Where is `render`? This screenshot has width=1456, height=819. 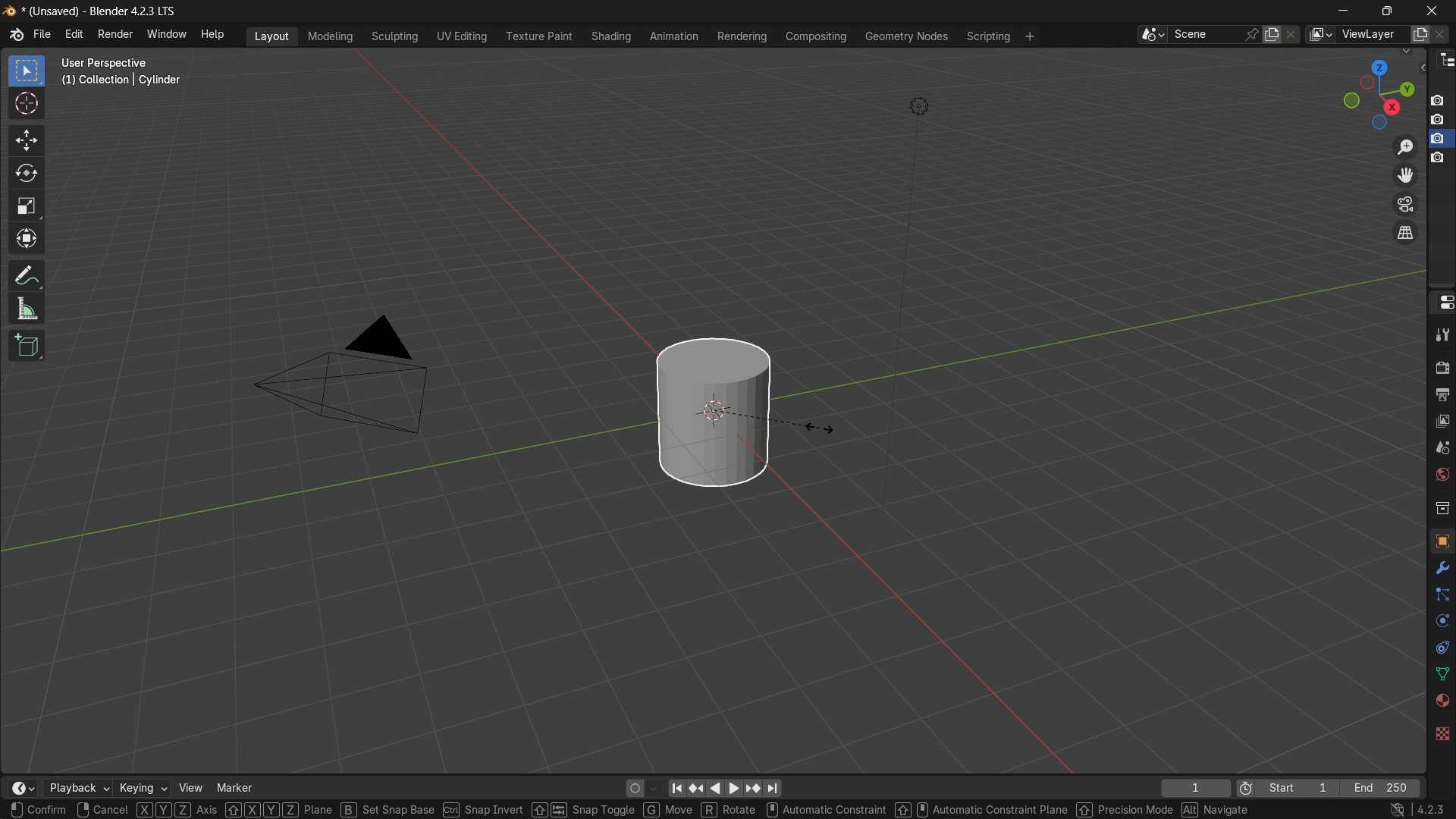
render is located at coordinates (1441, 369).